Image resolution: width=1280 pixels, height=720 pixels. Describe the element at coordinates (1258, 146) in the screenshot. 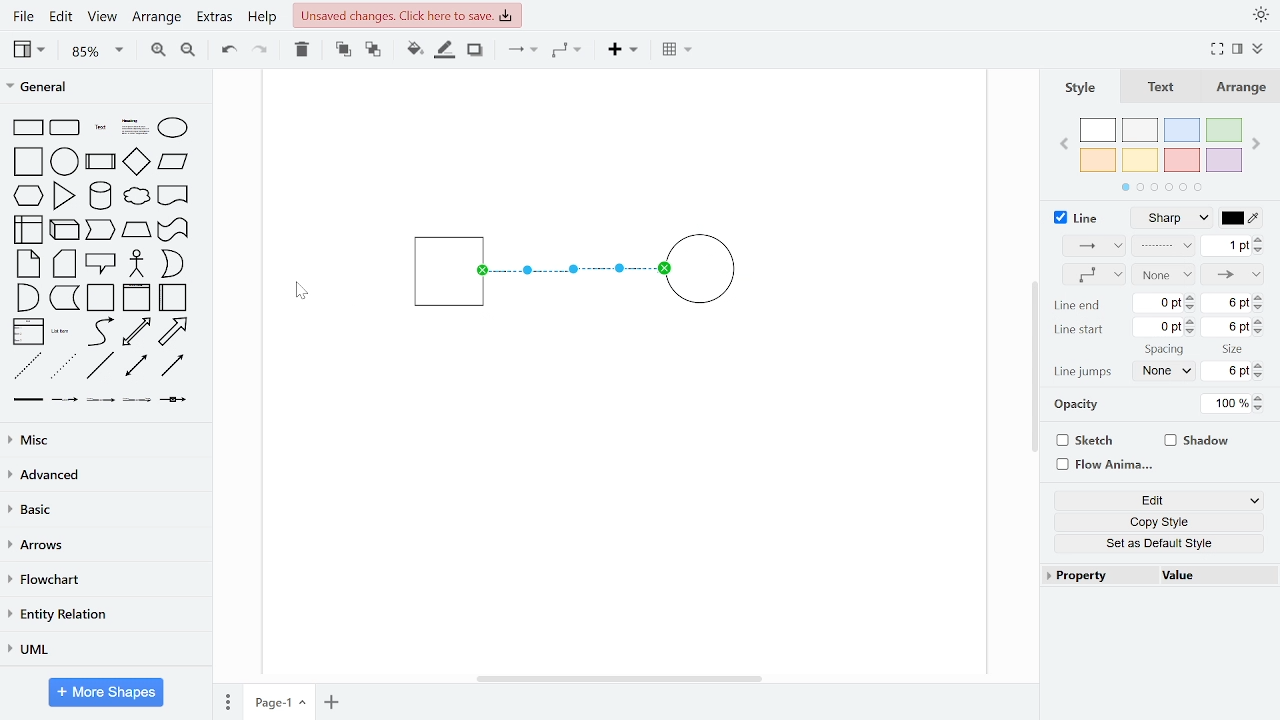

I see `next` at that location.